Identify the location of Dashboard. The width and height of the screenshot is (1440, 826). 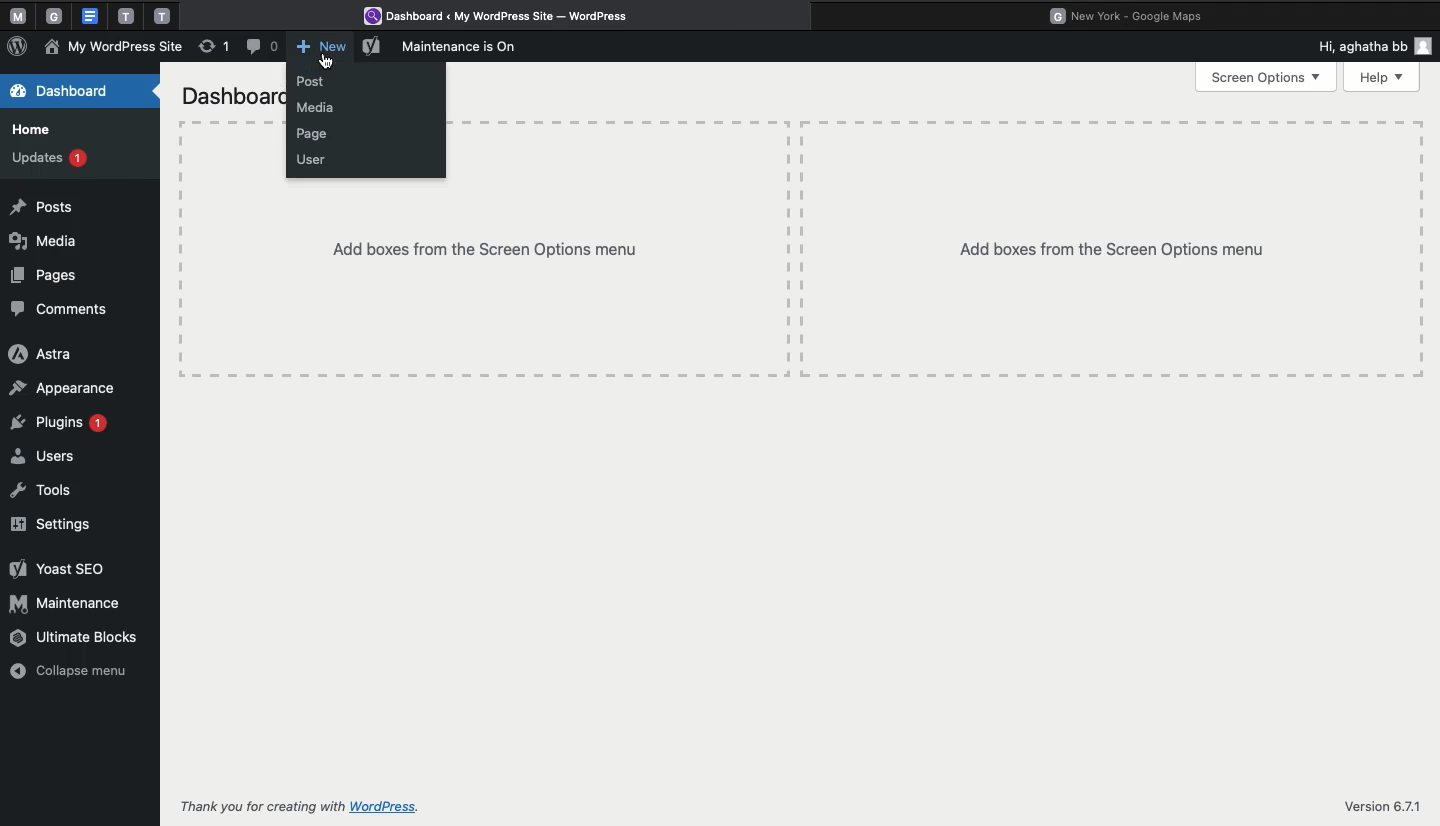
(227, 95).